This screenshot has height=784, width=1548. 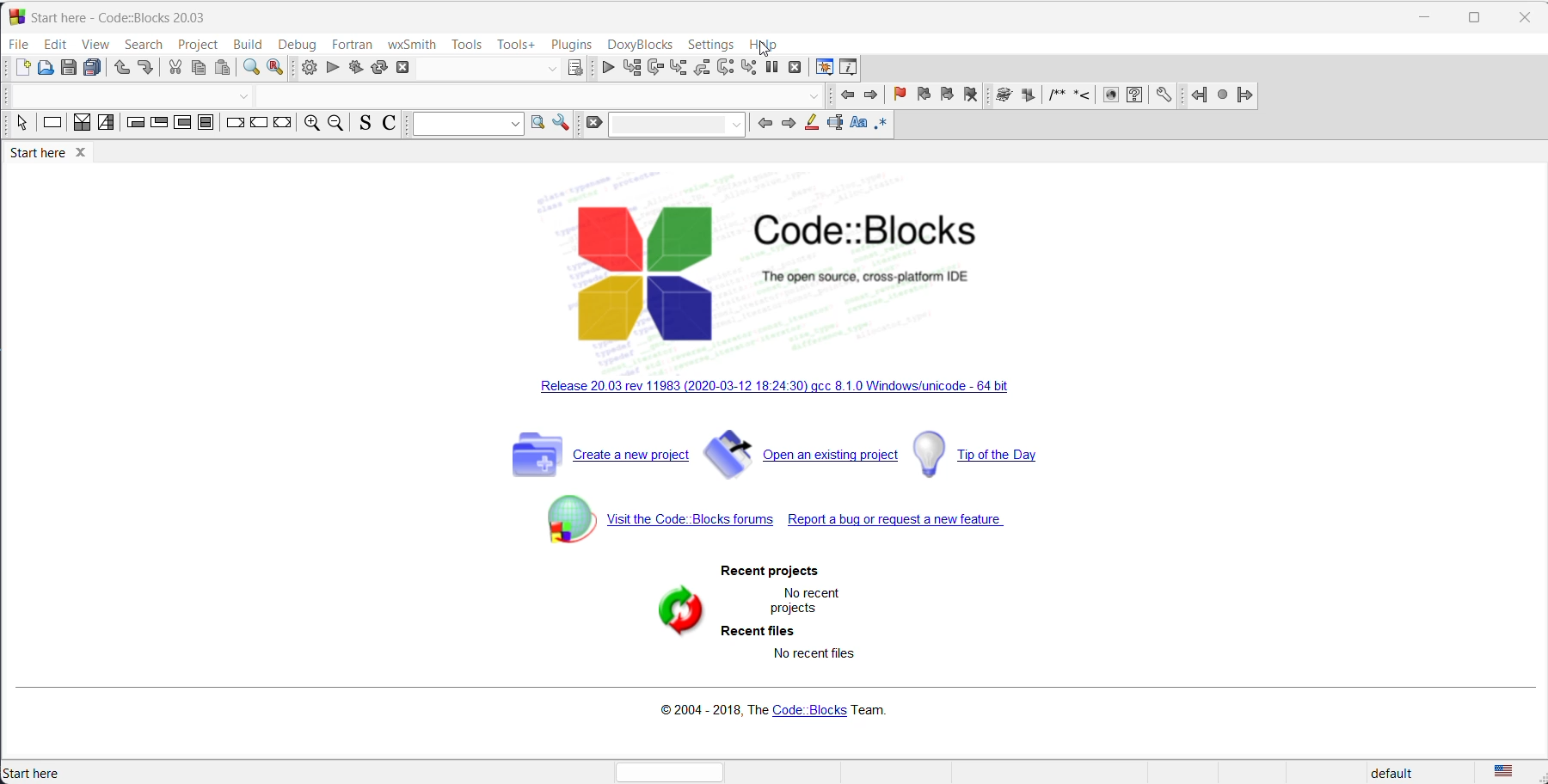 What do you see at coordinates (924, 95) in the screenshot?
I see `previous bookmark` at bounding box center [924, 95].